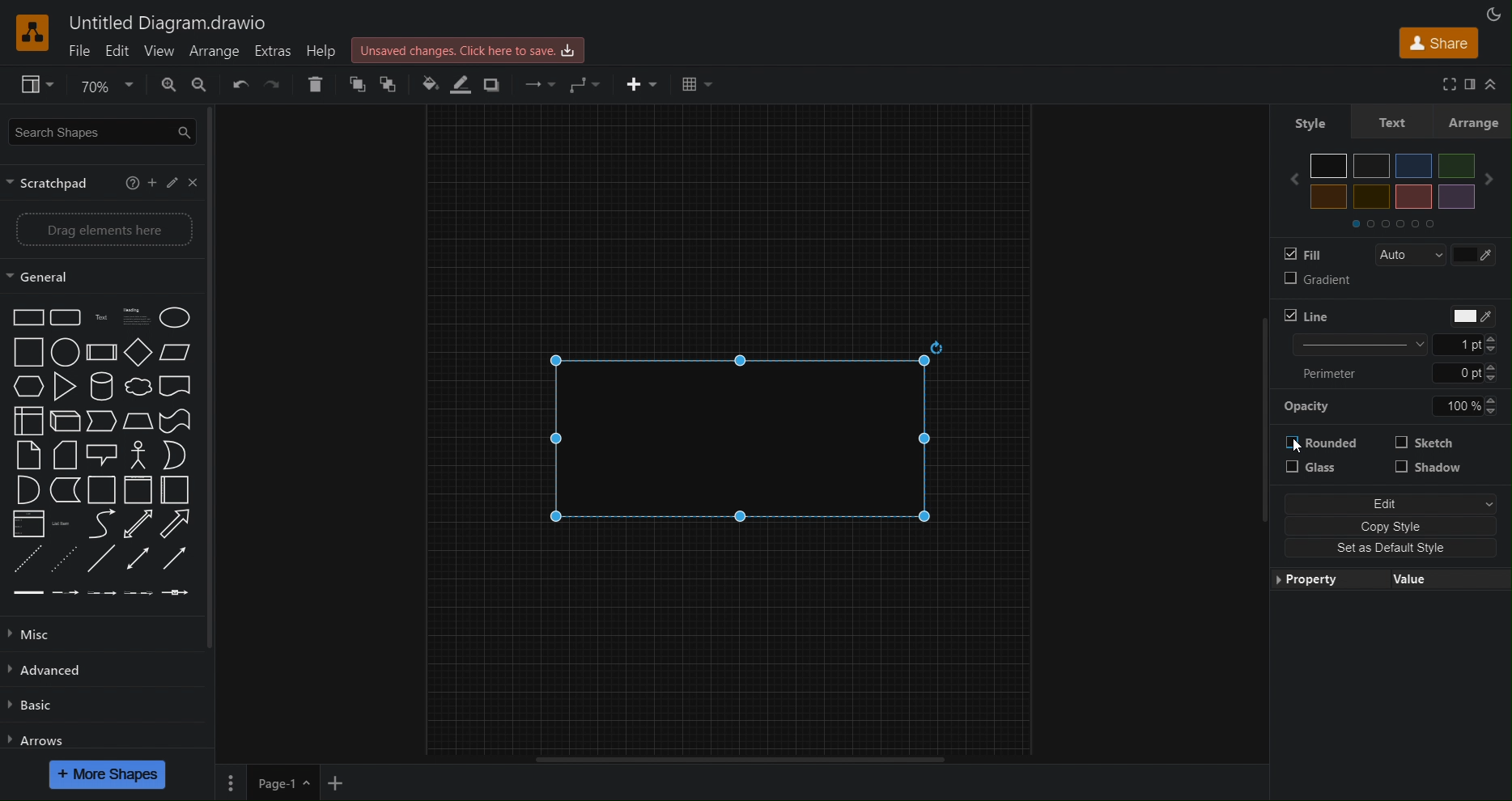 This screenshot has height=801, width=1512. Describe the element at coordinates (1491, 13) in the screenshot. I see `Appearance` at that location.